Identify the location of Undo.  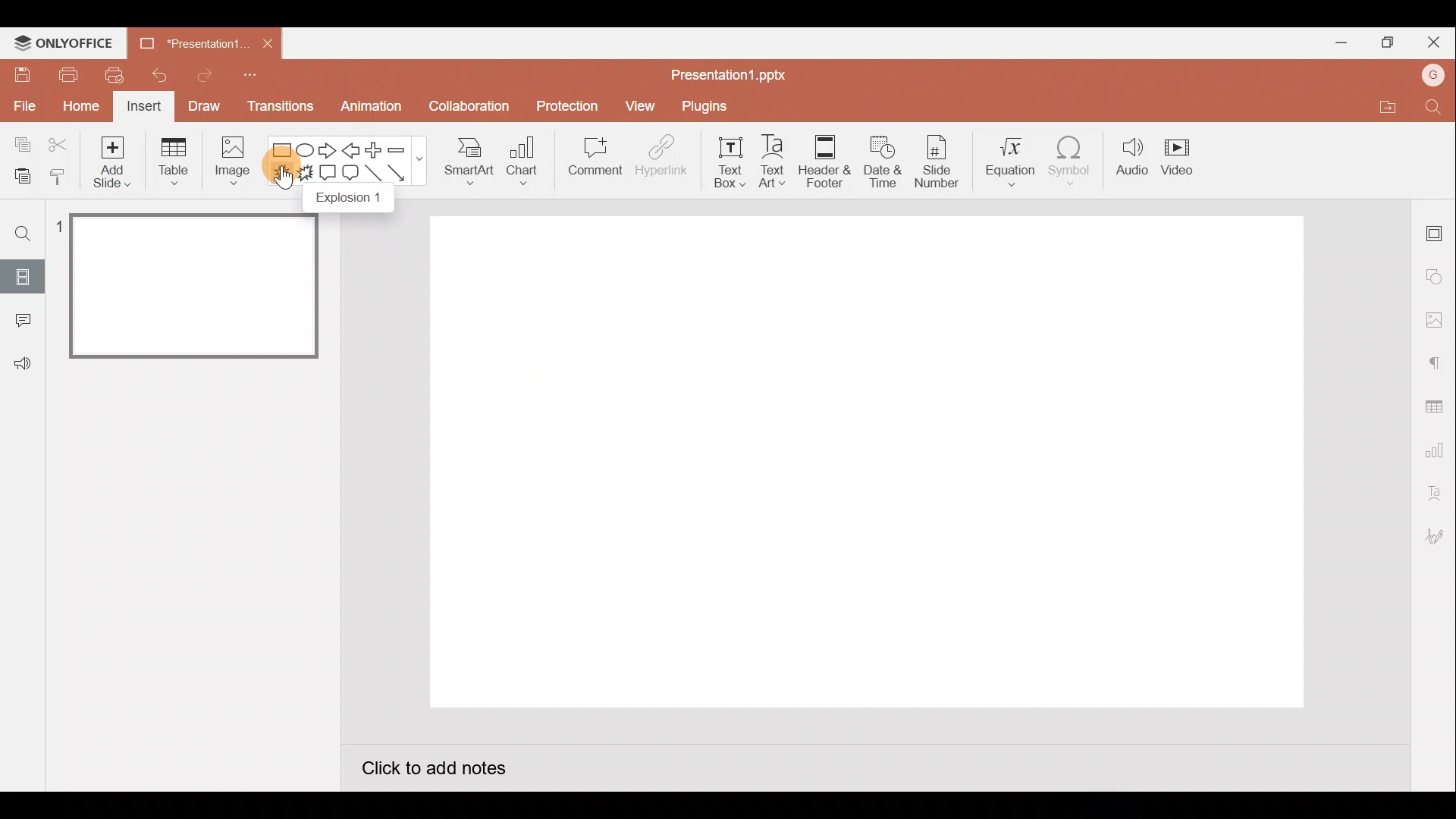
(158, 73).